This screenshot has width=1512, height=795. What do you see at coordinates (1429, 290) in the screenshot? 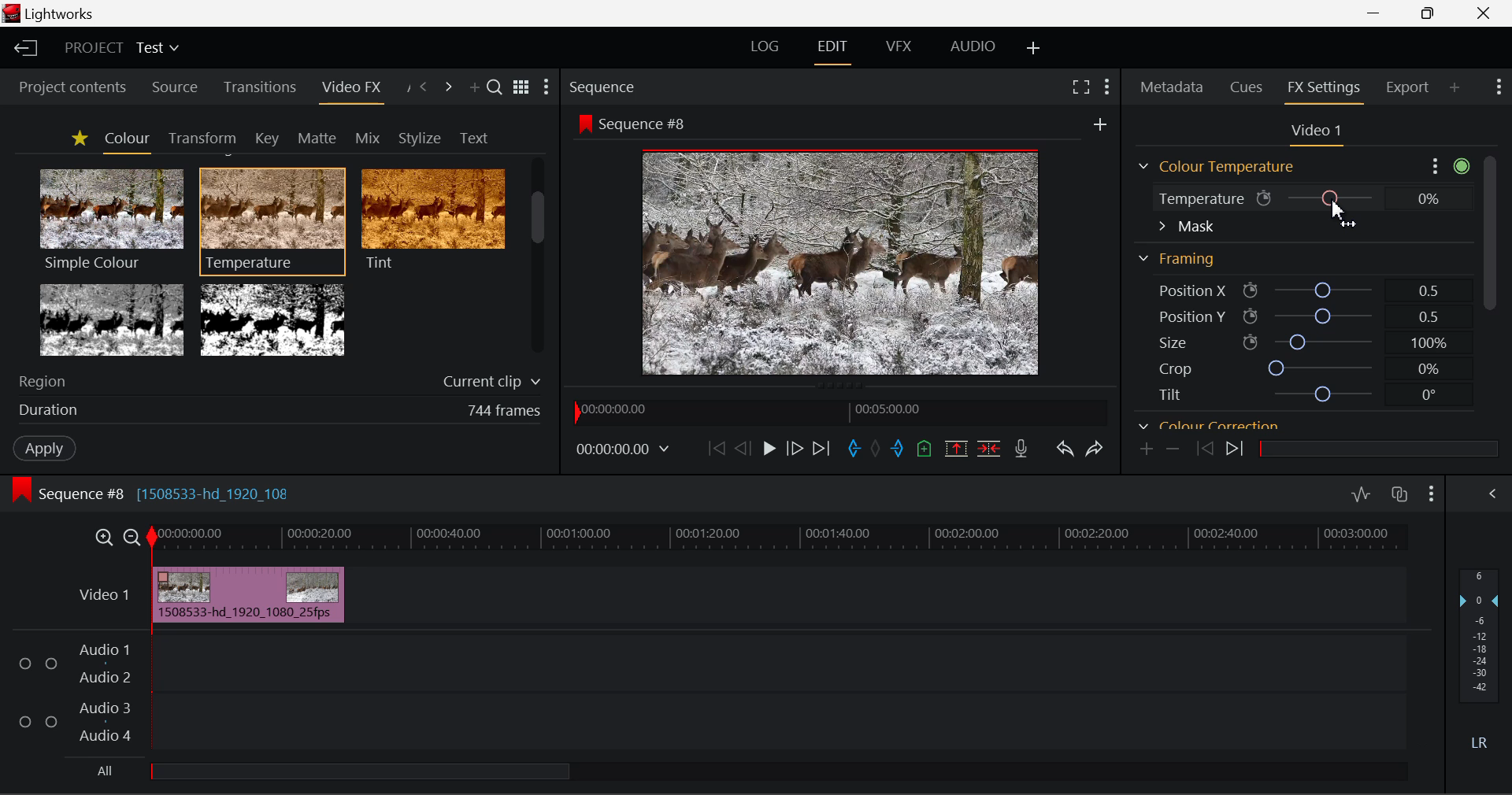
I see `0.5` at bounding box center [1429, 290].